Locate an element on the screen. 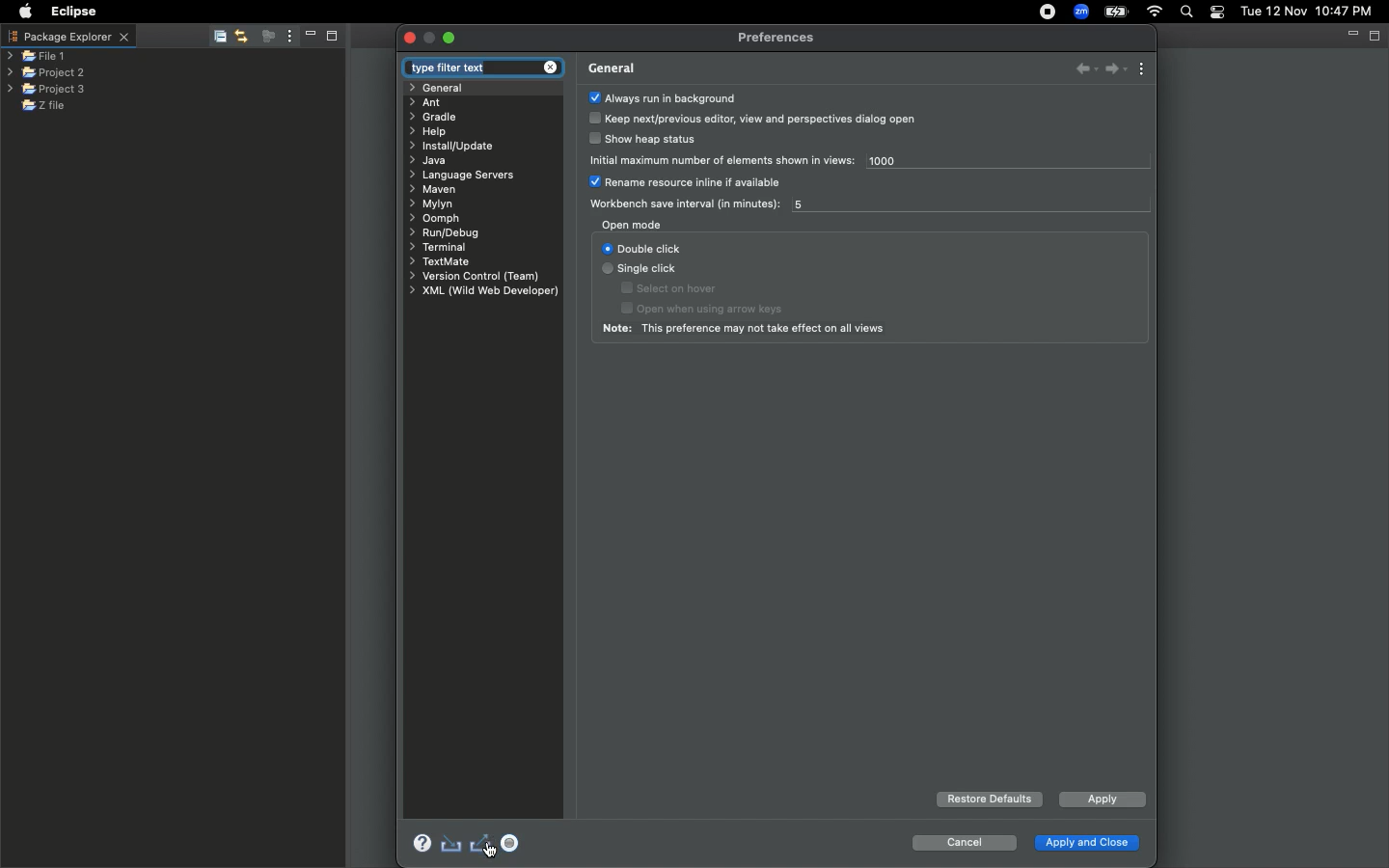 This screenshot has height=868, width=1389. Record is located at coordinates (514, 843).